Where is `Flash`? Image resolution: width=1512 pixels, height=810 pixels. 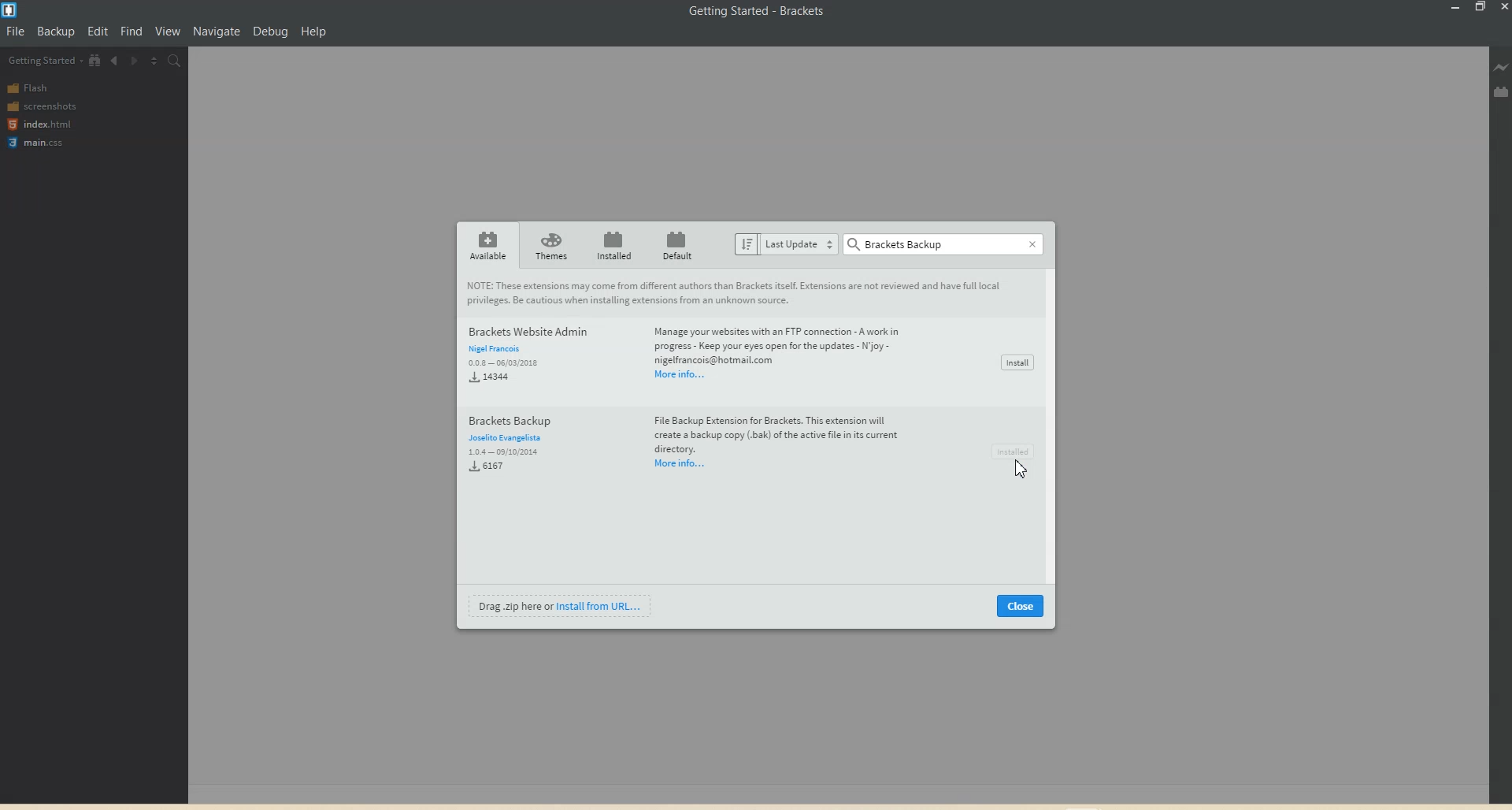
Flash is located at coordinates (31, 87).